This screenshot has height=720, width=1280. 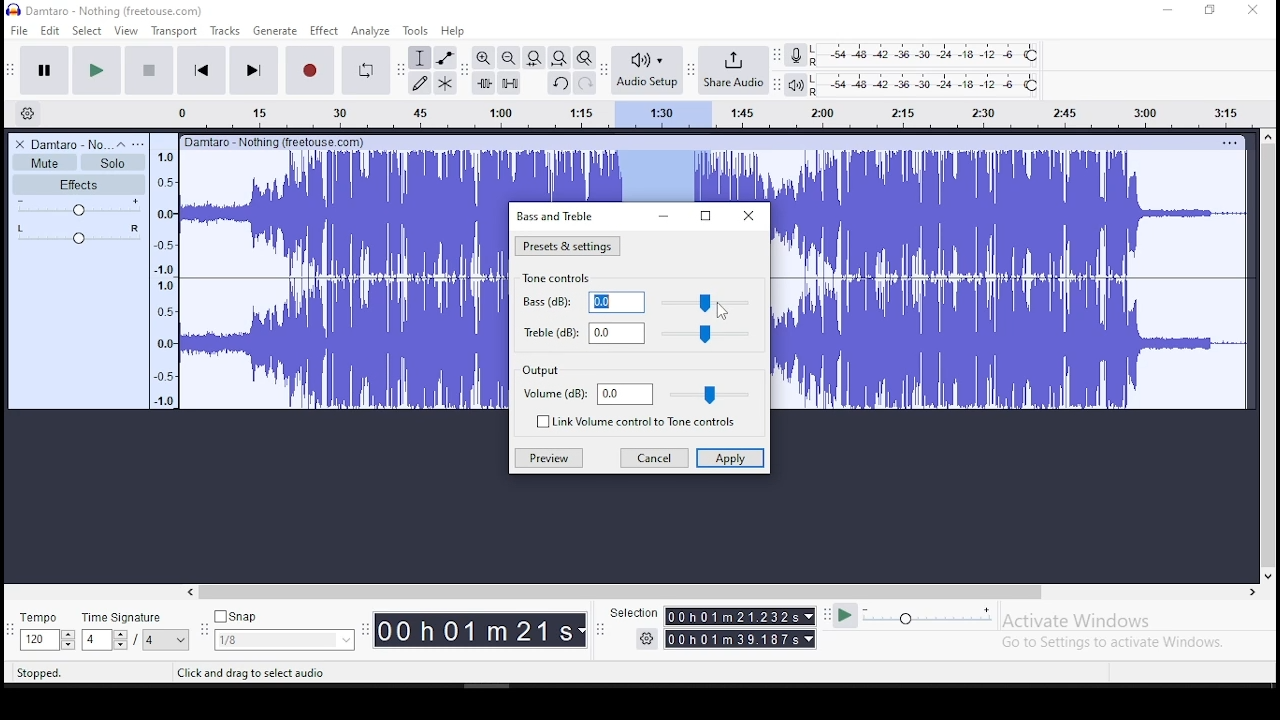 What do you see at coordinates (399, 68) in the screenshot?
I see `` at bounding box center [399, 68].